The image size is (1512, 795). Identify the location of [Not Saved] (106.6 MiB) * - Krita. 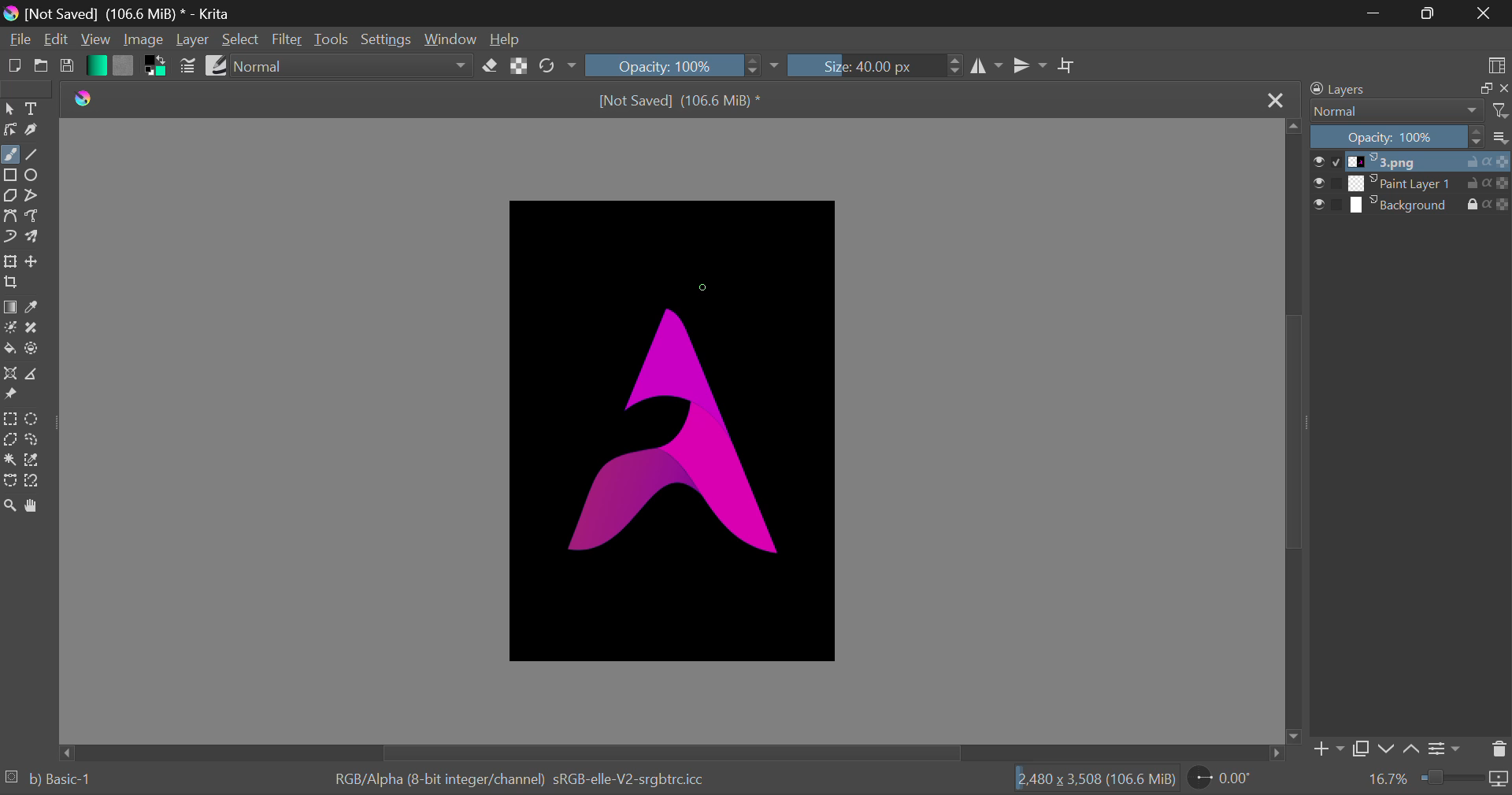
(143, 11).